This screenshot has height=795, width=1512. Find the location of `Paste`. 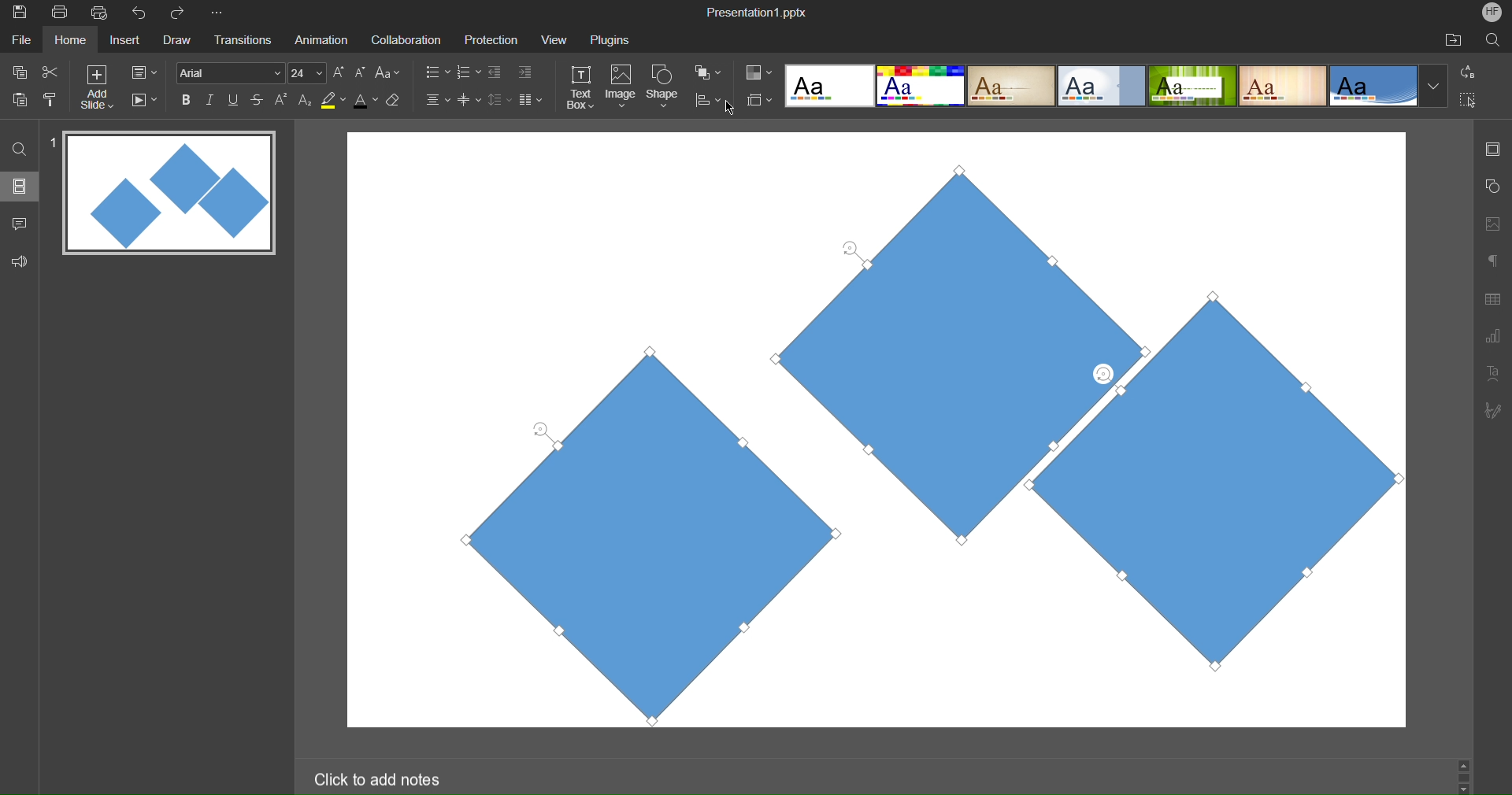

Paste is located at coordinates (20, 98).